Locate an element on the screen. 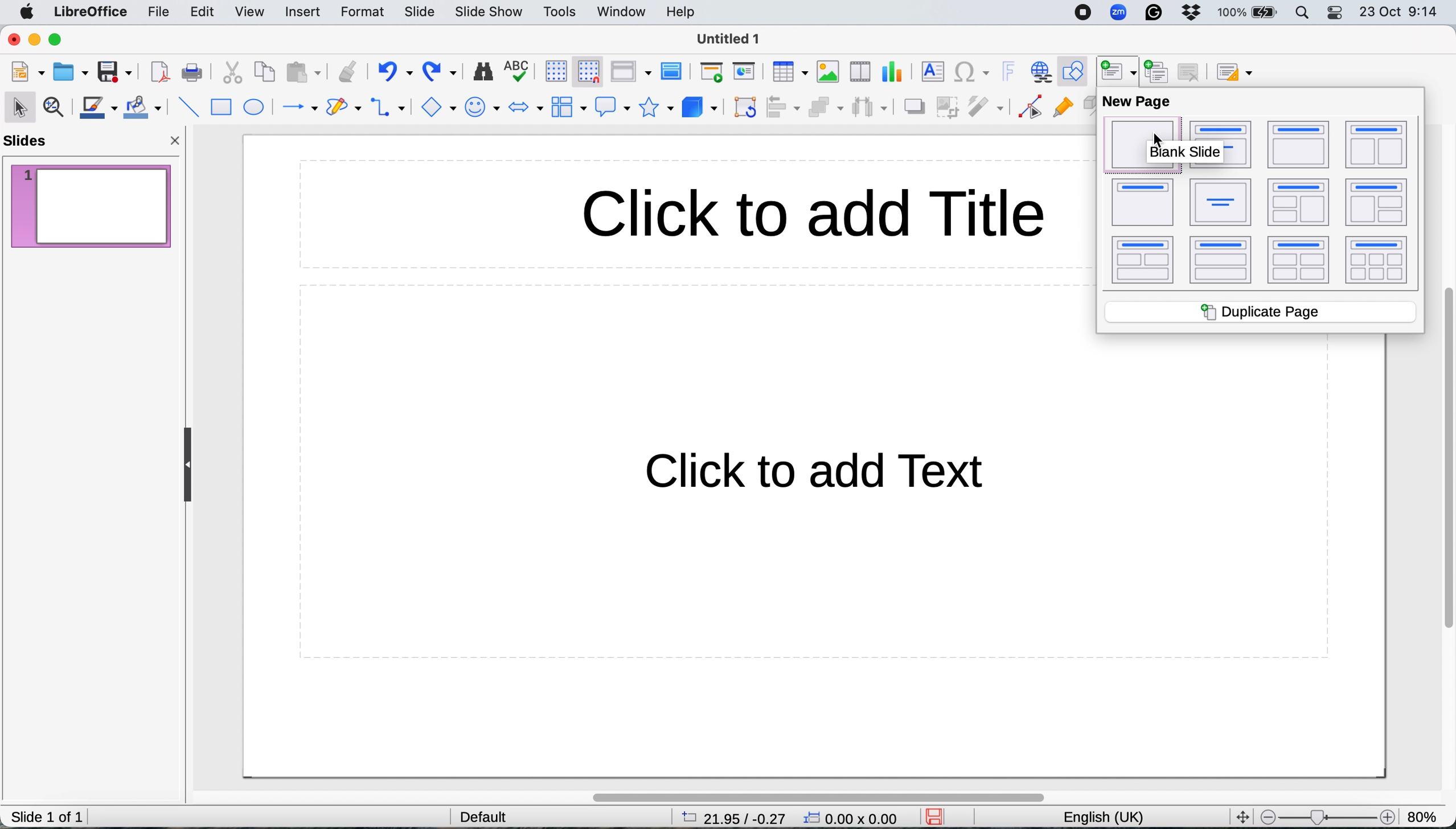  title content is located at coordinates (1299, 146).